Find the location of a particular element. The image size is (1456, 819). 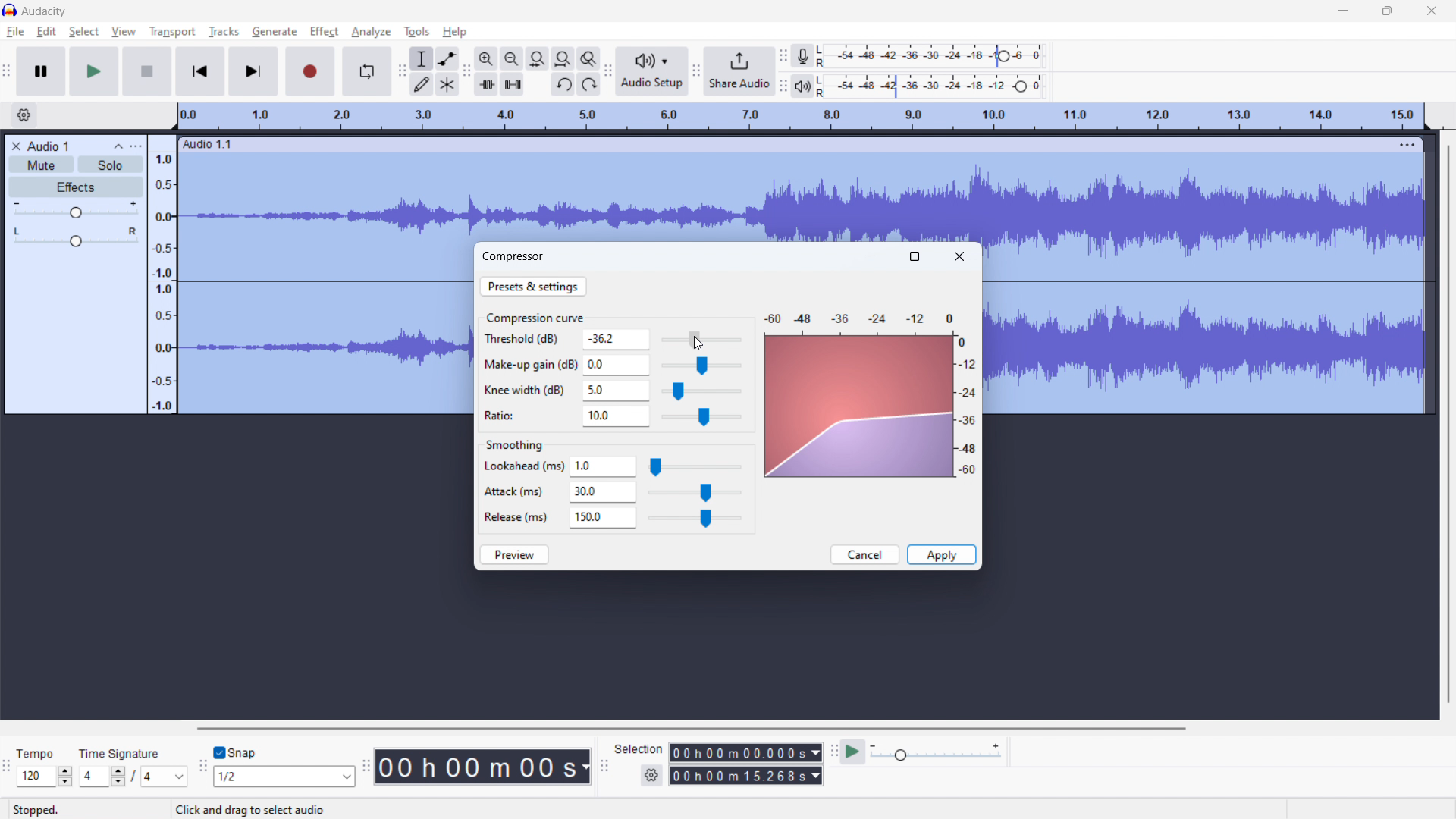

minimize is located at coordinates (1342, 11).